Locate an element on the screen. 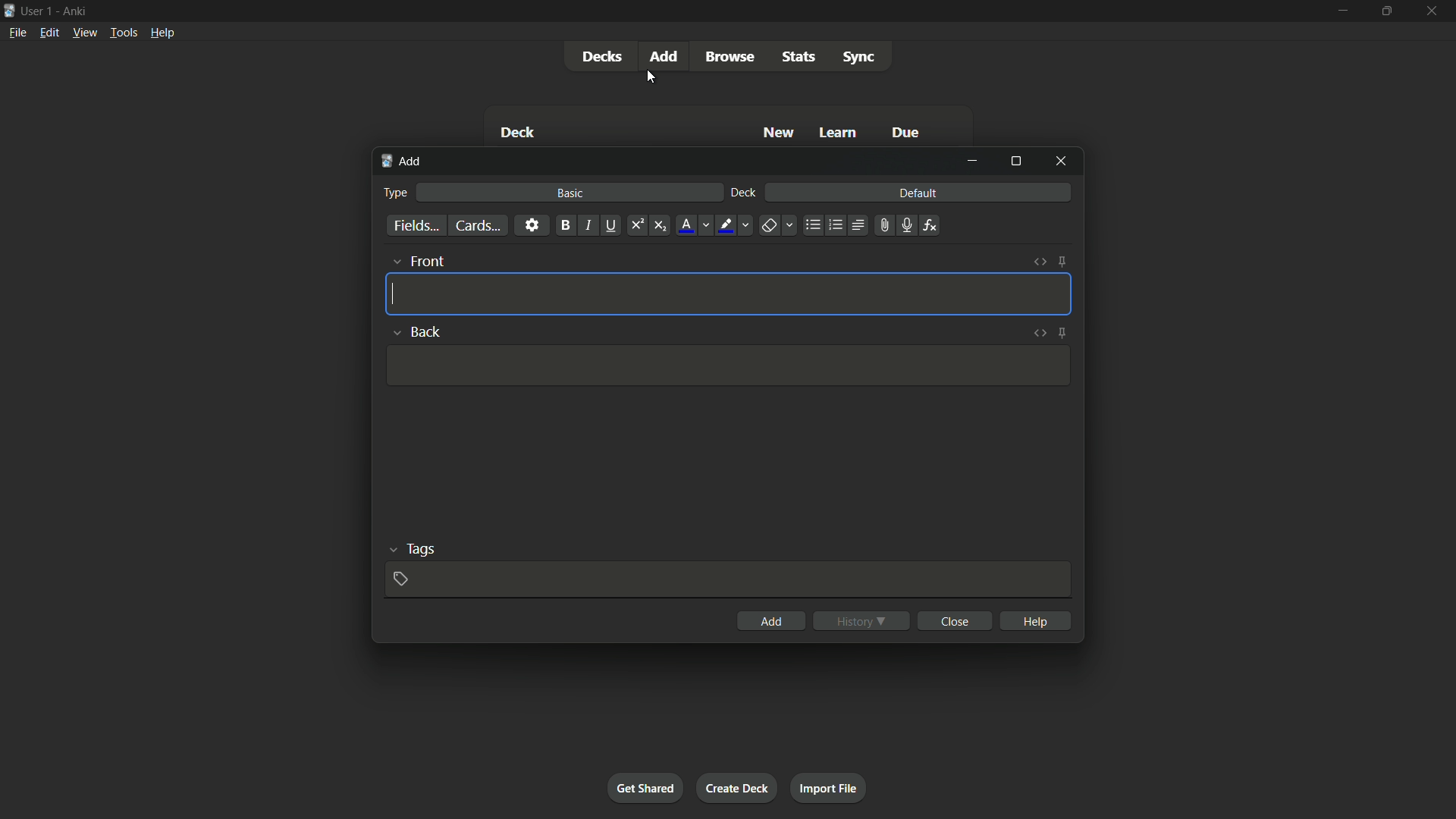 This screenshot has width=1456, height=819. toggle sticky is located at coordinates (1062, 262).